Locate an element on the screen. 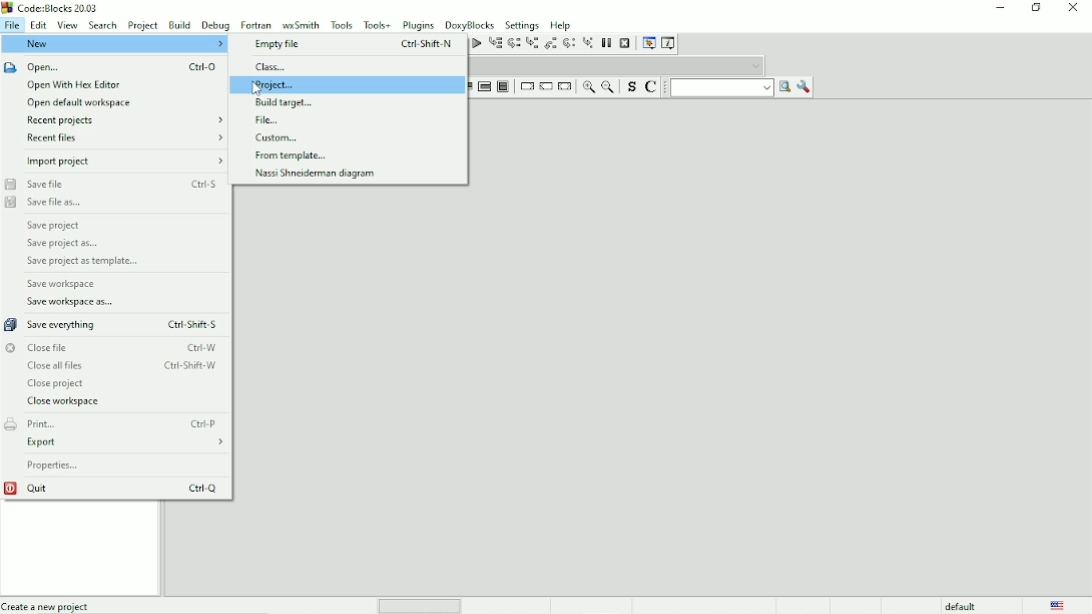 The image size is (1092, 614). Next line is located at coordinates (513, 44).